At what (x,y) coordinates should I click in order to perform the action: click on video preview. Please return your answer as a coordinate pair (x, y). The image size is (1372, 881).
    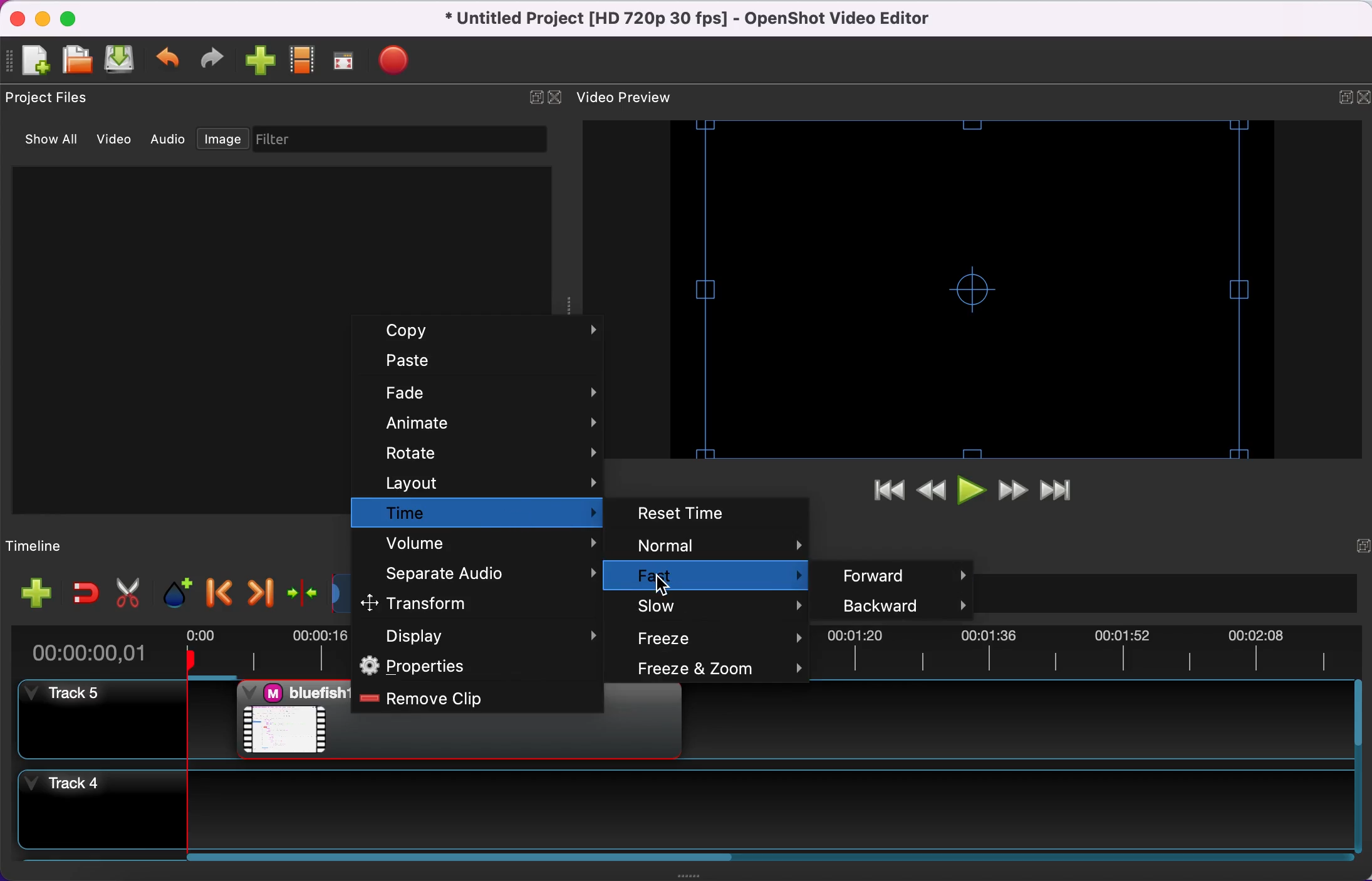
    Looking at the image, I should click on (970, 290).